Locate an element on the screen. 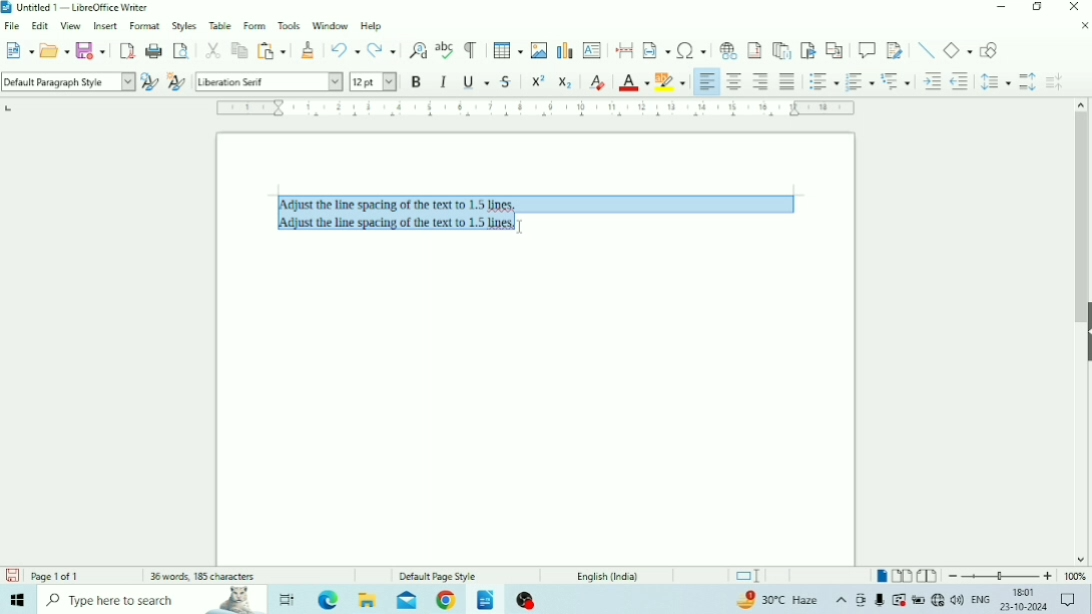 The width and height of the screenshot is (1092, 614). Undo is located at coordinates (345, 49).